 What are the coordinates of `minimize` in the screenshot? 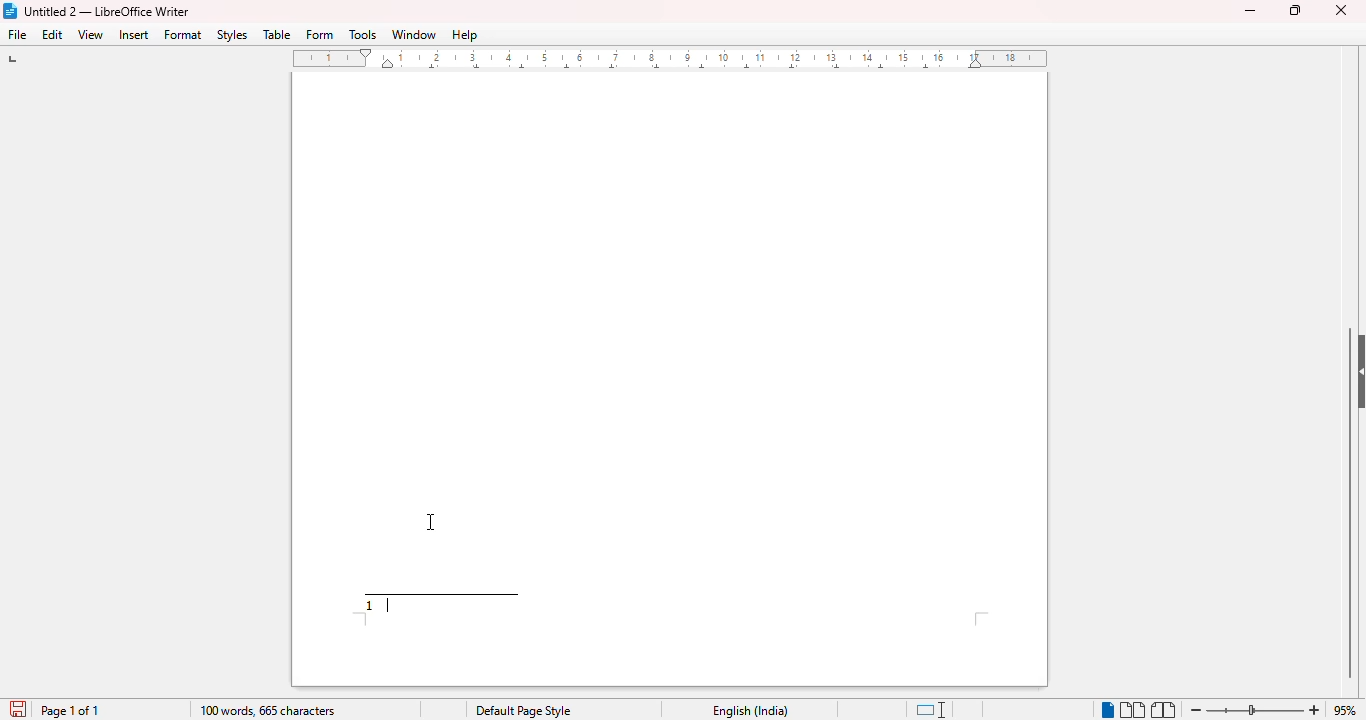 It's located at (1250, 11).